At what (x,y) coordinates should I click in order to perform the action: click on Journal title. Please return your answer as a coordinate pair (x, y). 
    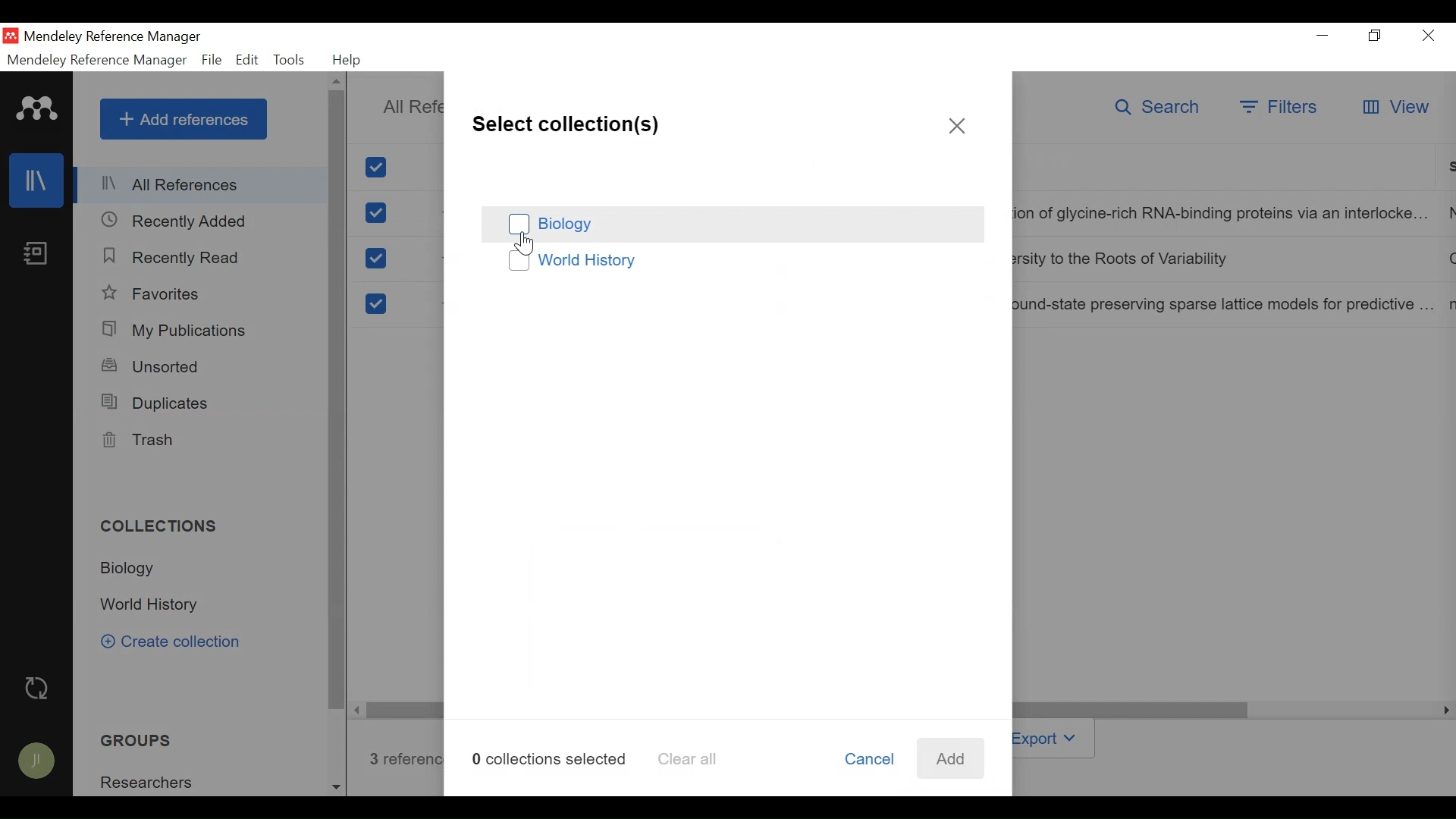
    Looking at the image, I should click on (1225, 215).